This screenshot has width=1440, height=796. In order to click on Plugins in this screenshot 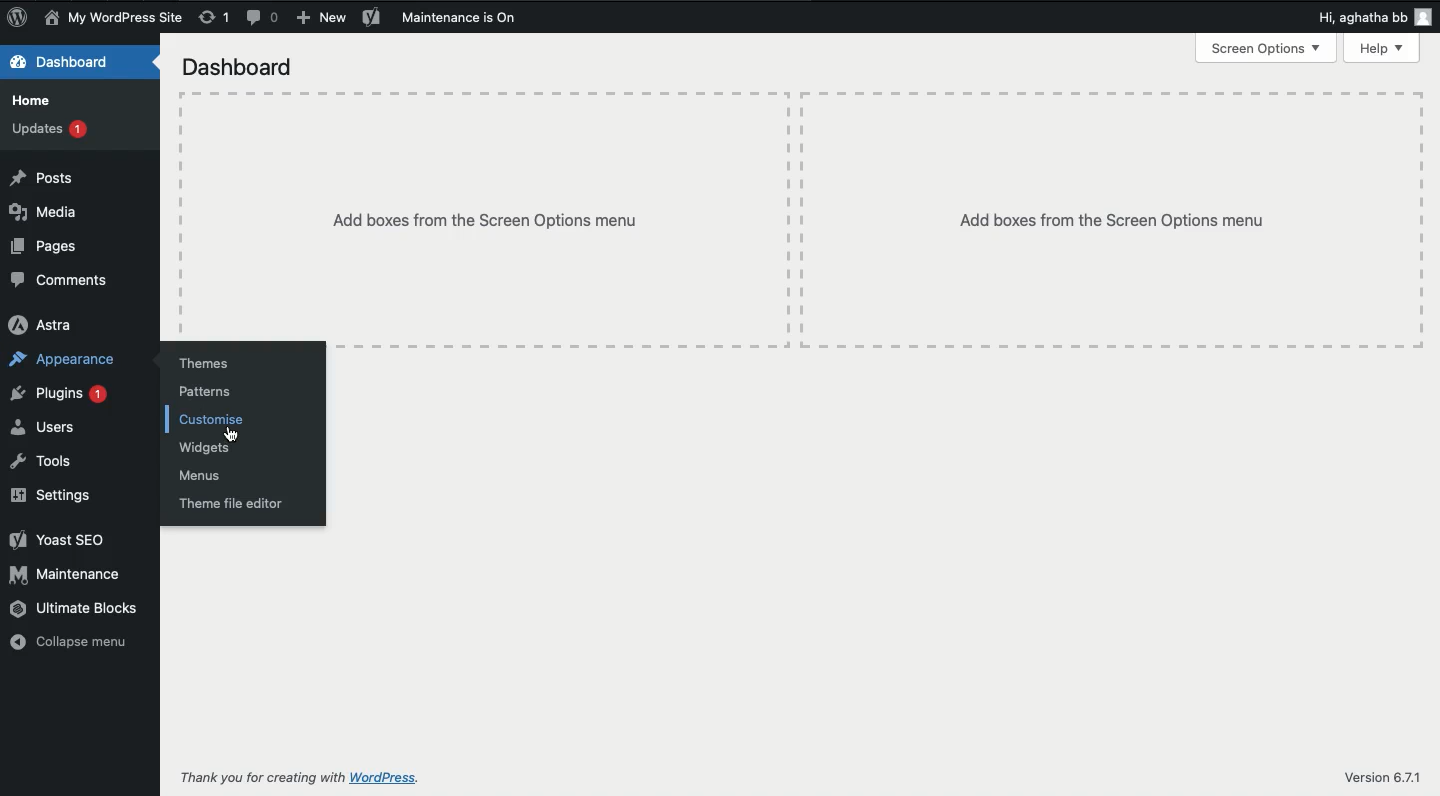, I will do `click(59, 396)`.